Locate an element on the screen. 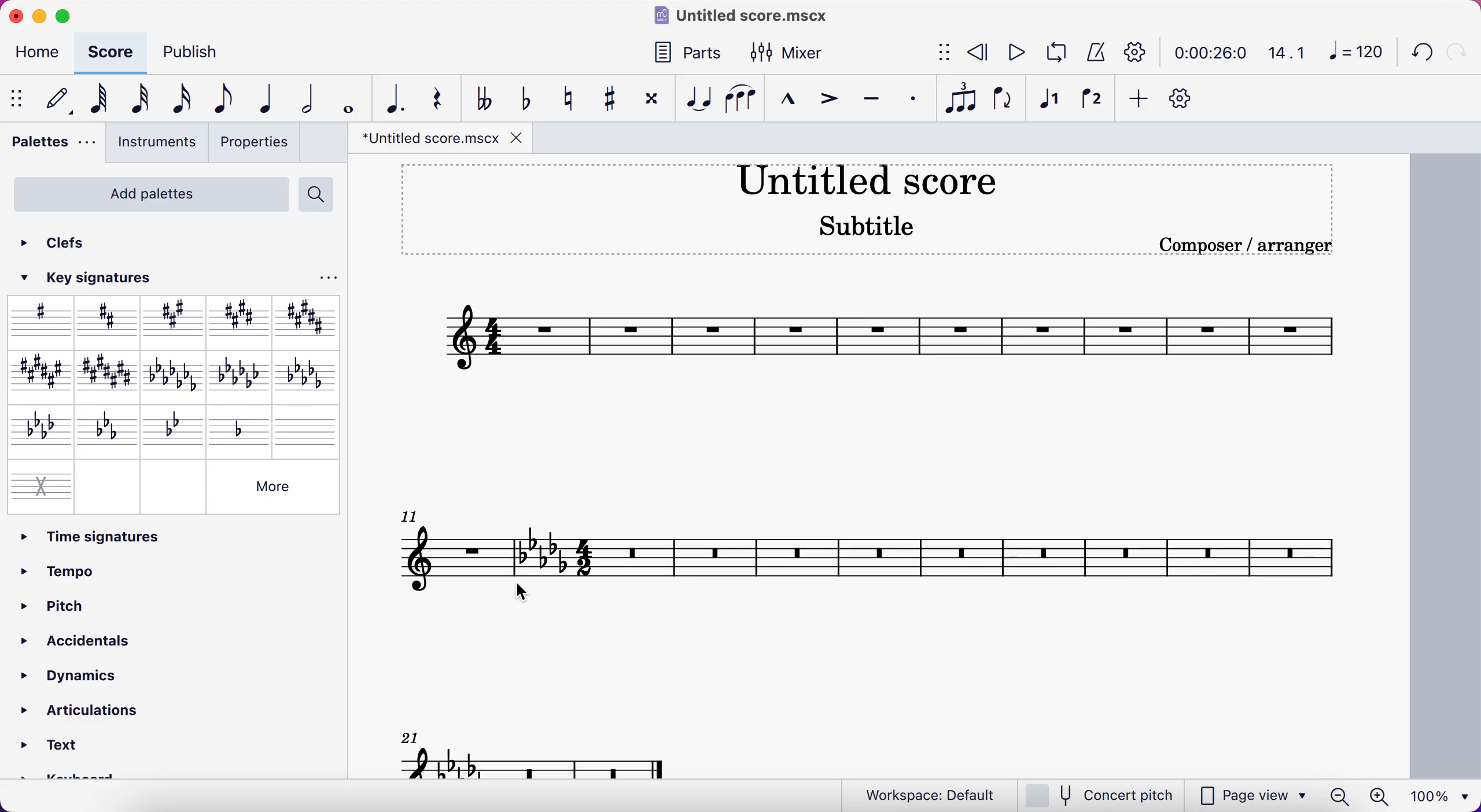 The height and width of the screenshot is (812, 1481). add palettes is located at coordinates (148, 193).